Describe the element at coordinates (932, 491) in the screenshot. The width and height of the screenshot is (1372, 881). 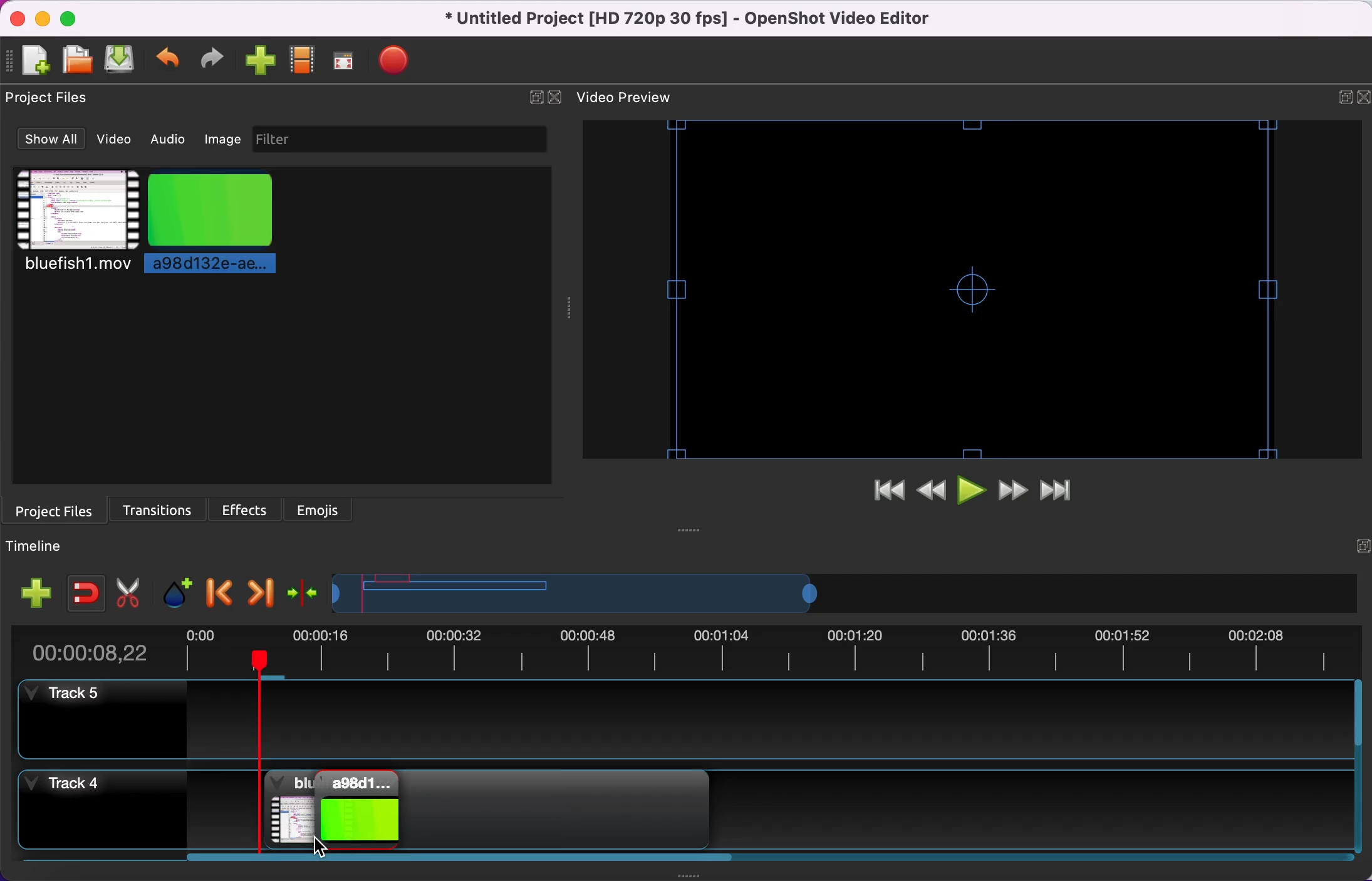
I see `rewind` at that location.